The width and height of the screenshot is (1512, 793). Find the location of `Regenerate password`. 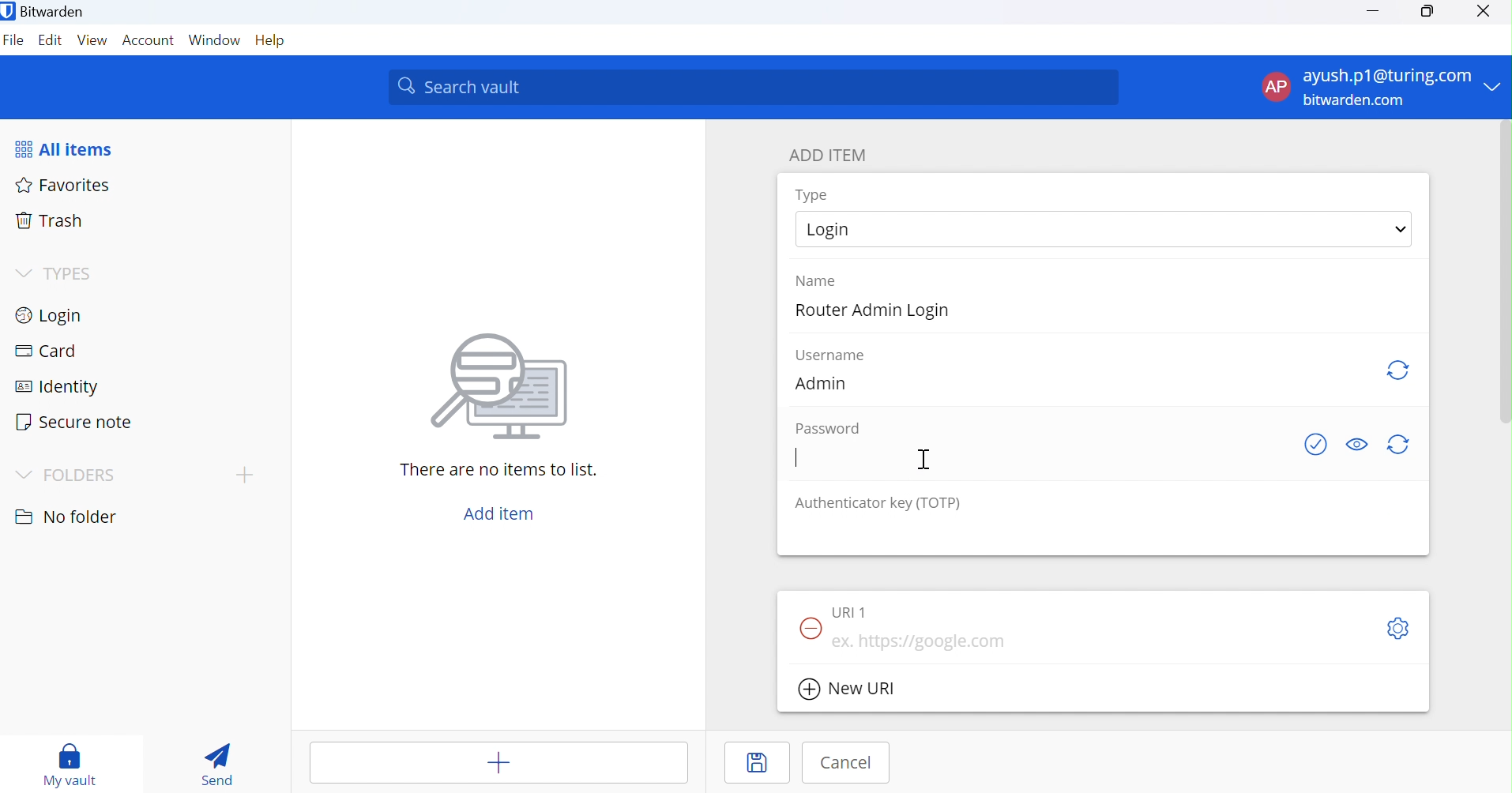

Regenerate password is located at coordinates (1401, 446).